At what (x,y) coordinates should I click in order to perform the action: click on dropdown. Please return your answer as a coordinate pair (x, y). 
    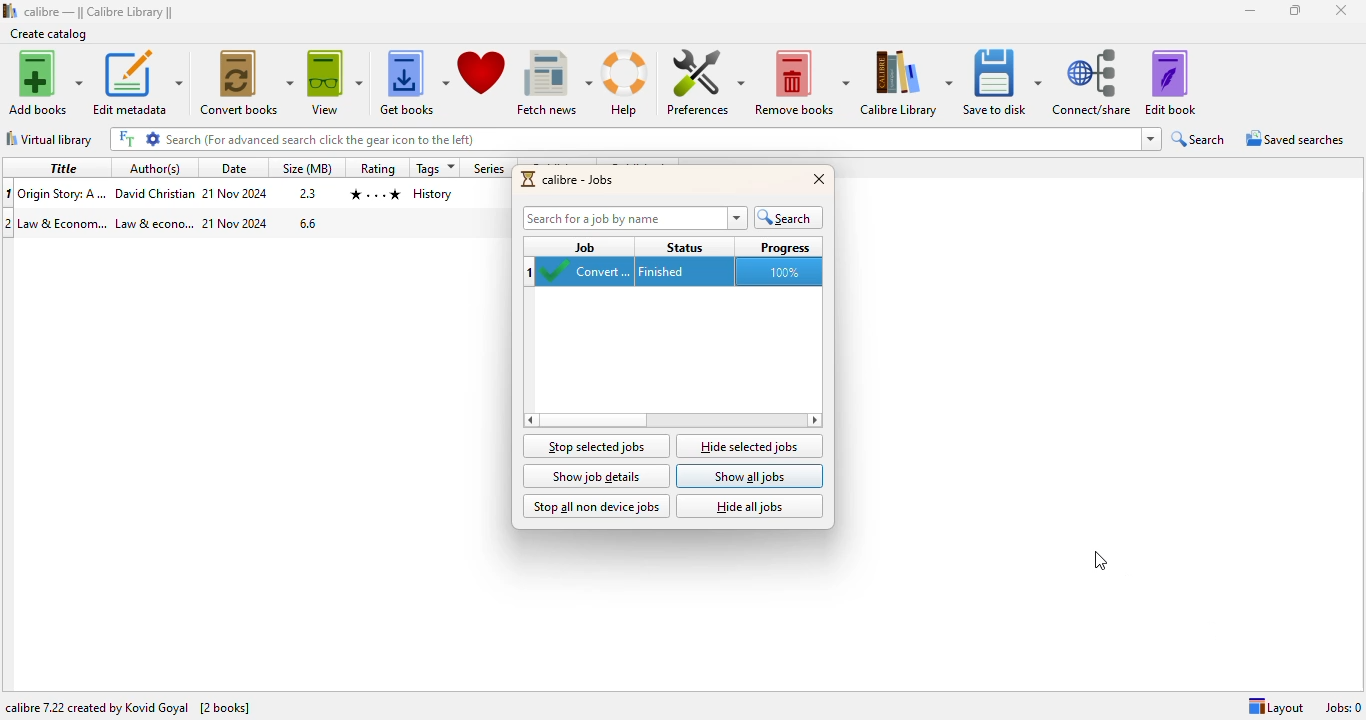
    Looking at the image, I should click on (1151, 139).